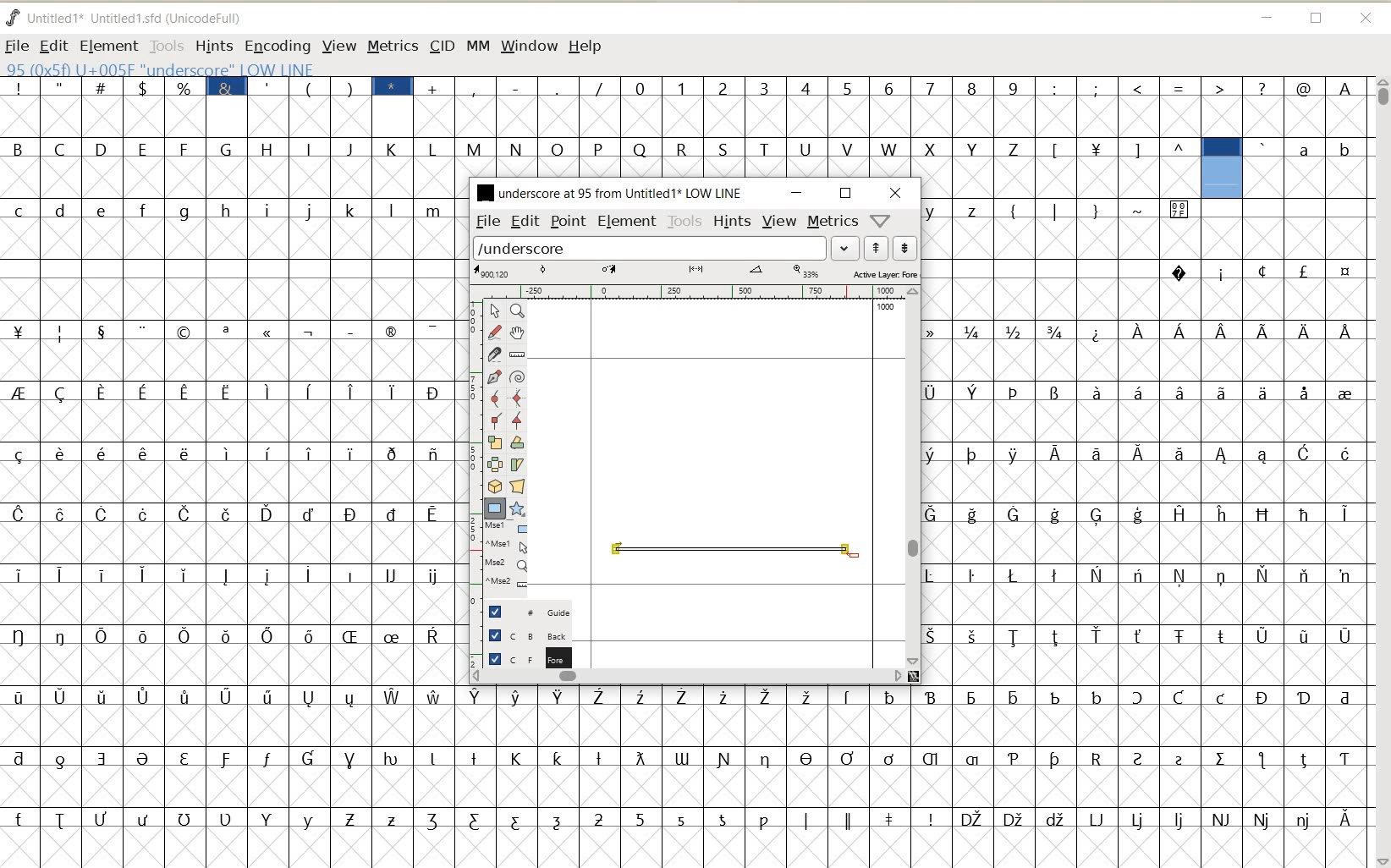 This screenshot has width=1391, height=868. I want to click on SCALE, so click(471, 447).